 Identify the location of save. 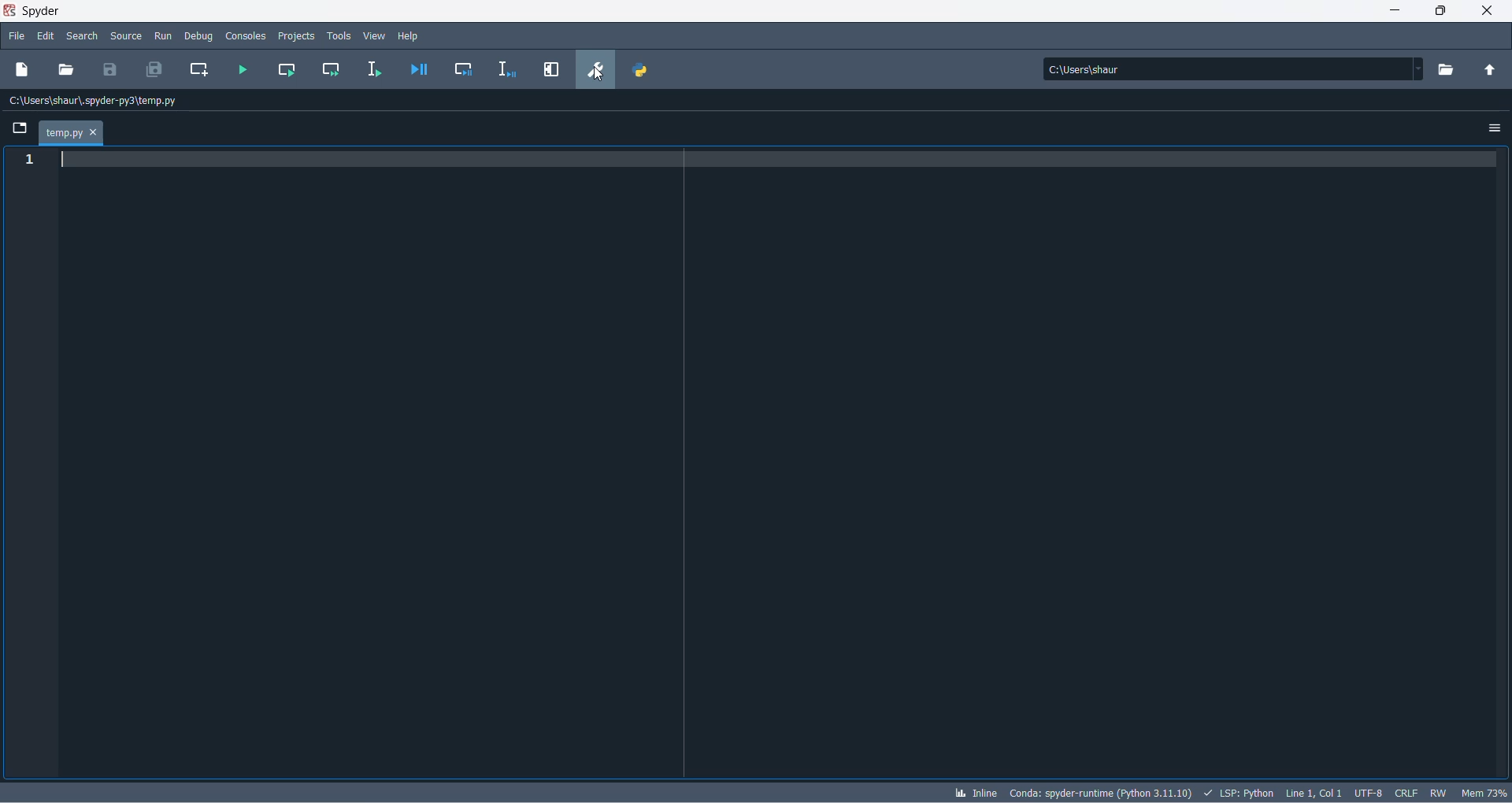
(110, 69).